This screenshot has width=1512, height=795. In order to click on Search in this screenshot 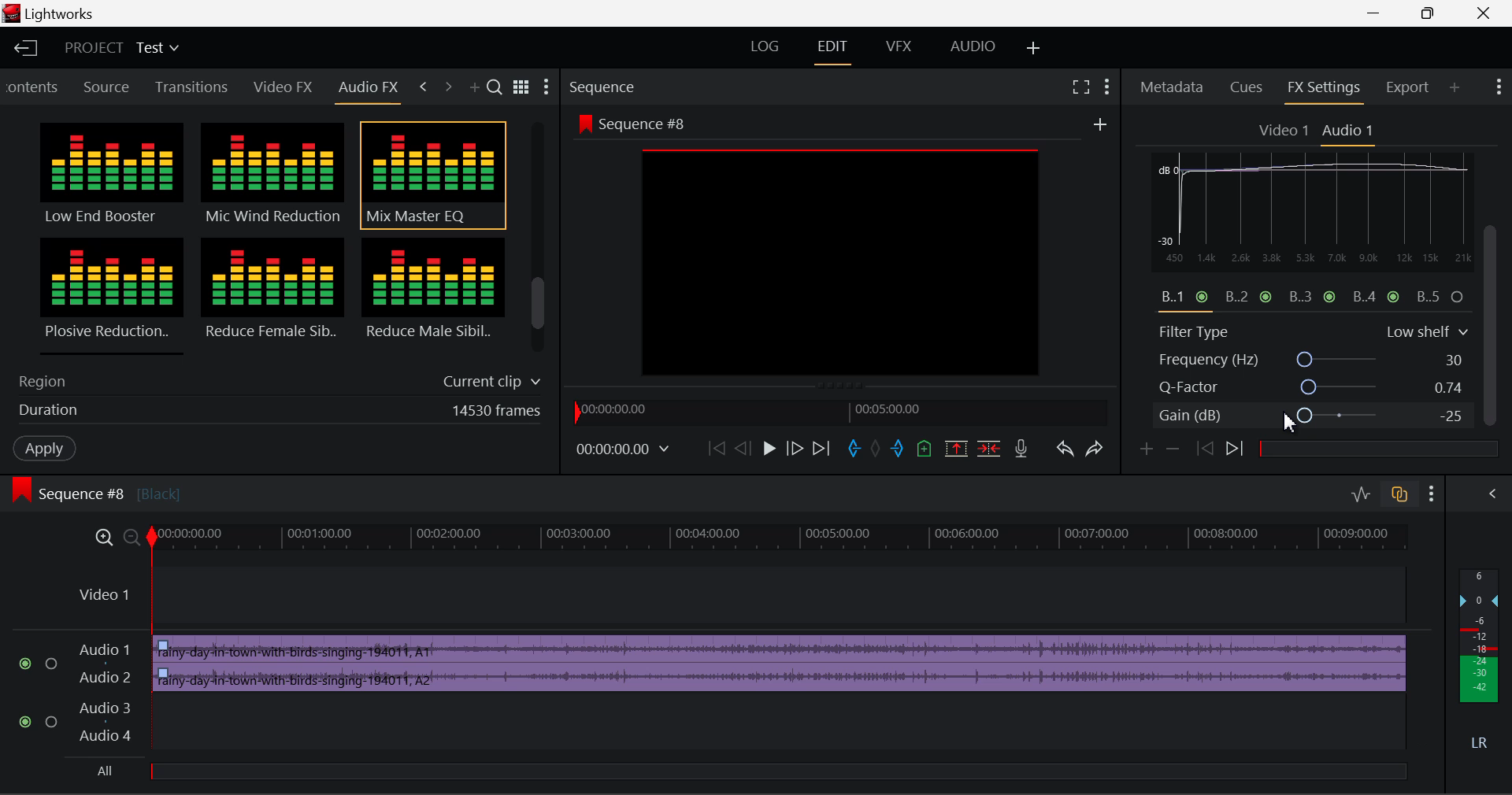, I will do `click(497, 88)`.